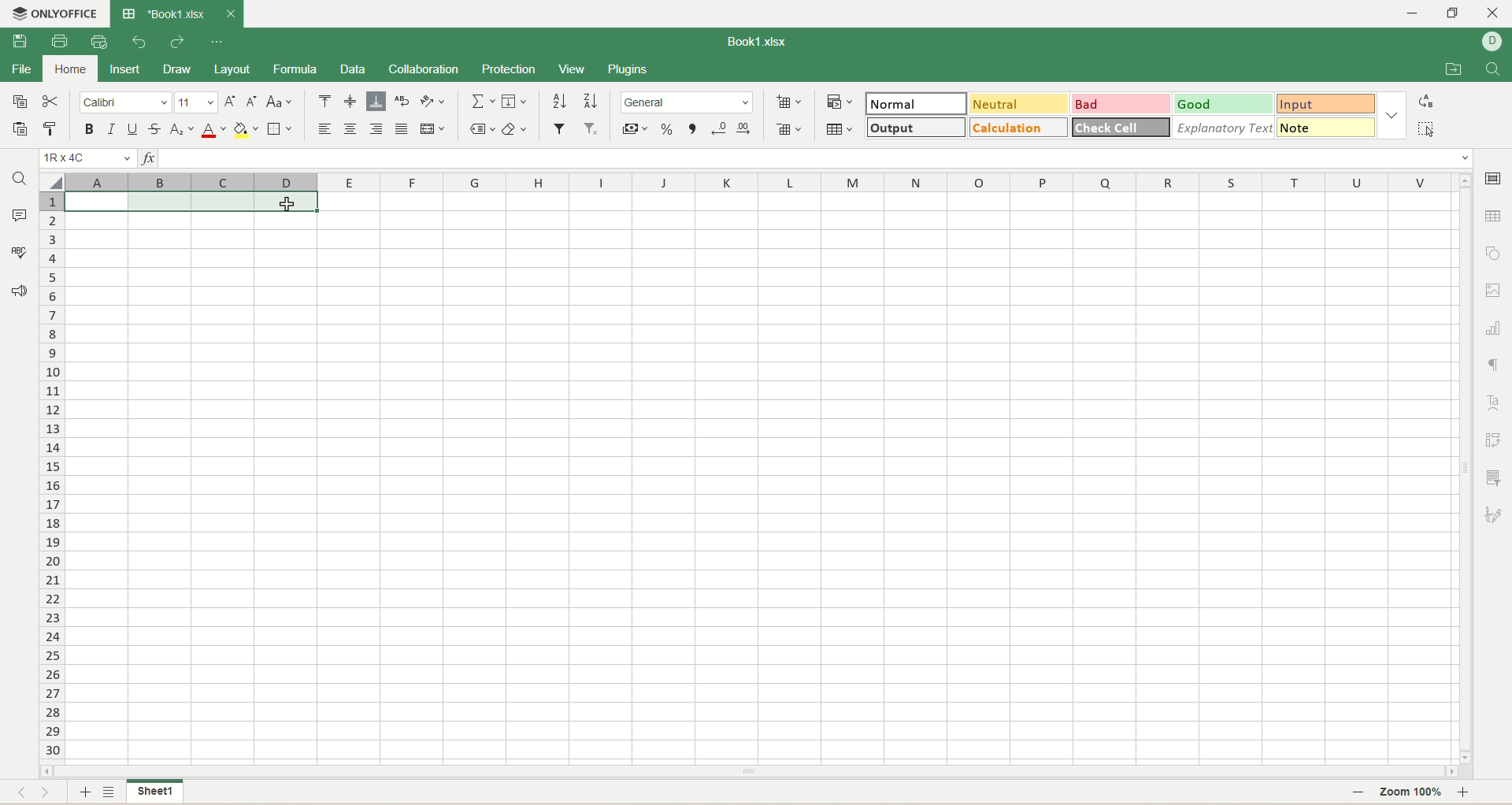  What do you see at coordinates (1411, 13) in the screenshot?
I see `minimize` at bounding box center [1411, 13].